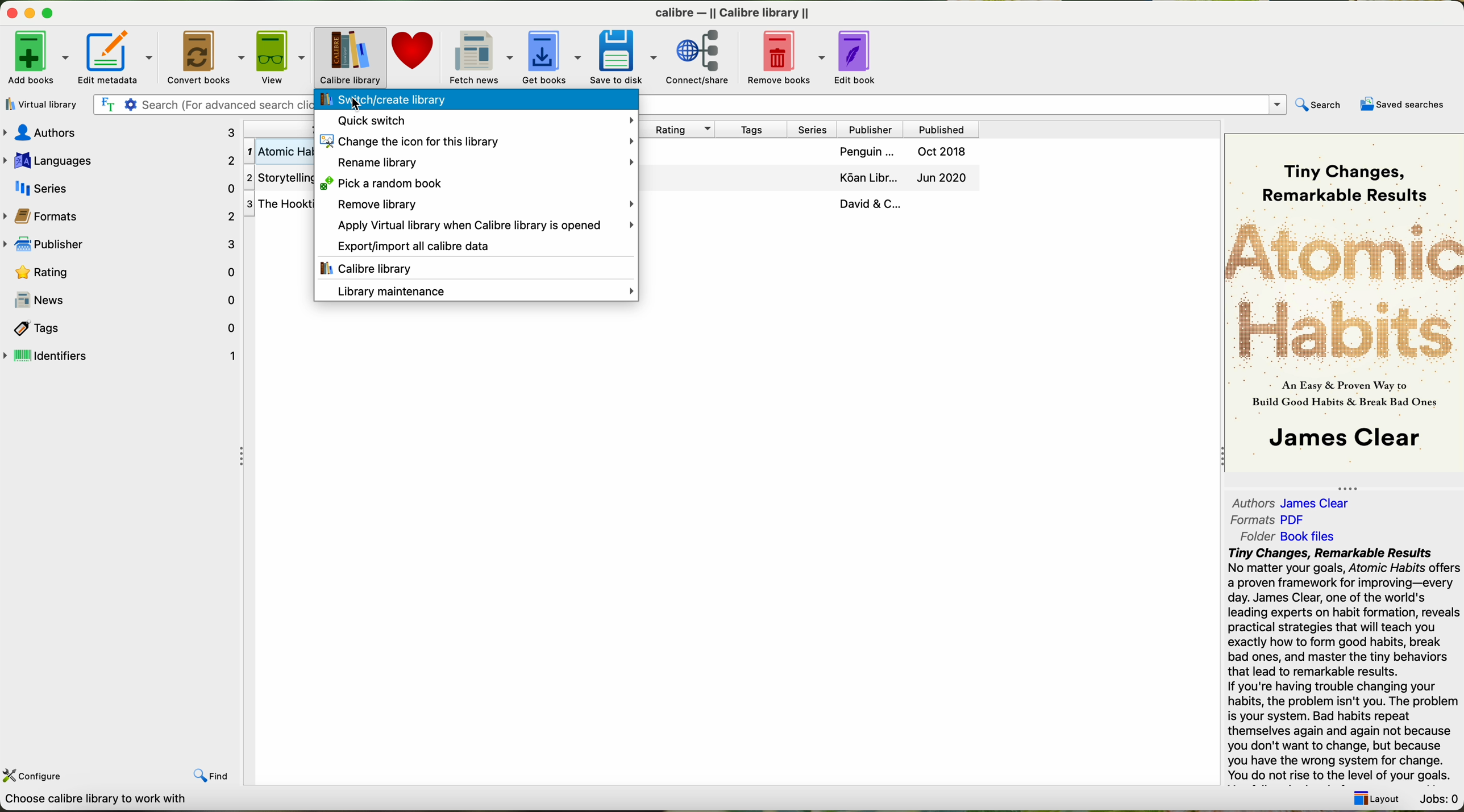  What do you see at coordinates (35, 774) in the screenshot?
I see `configure` at bounding box center [35, 774].